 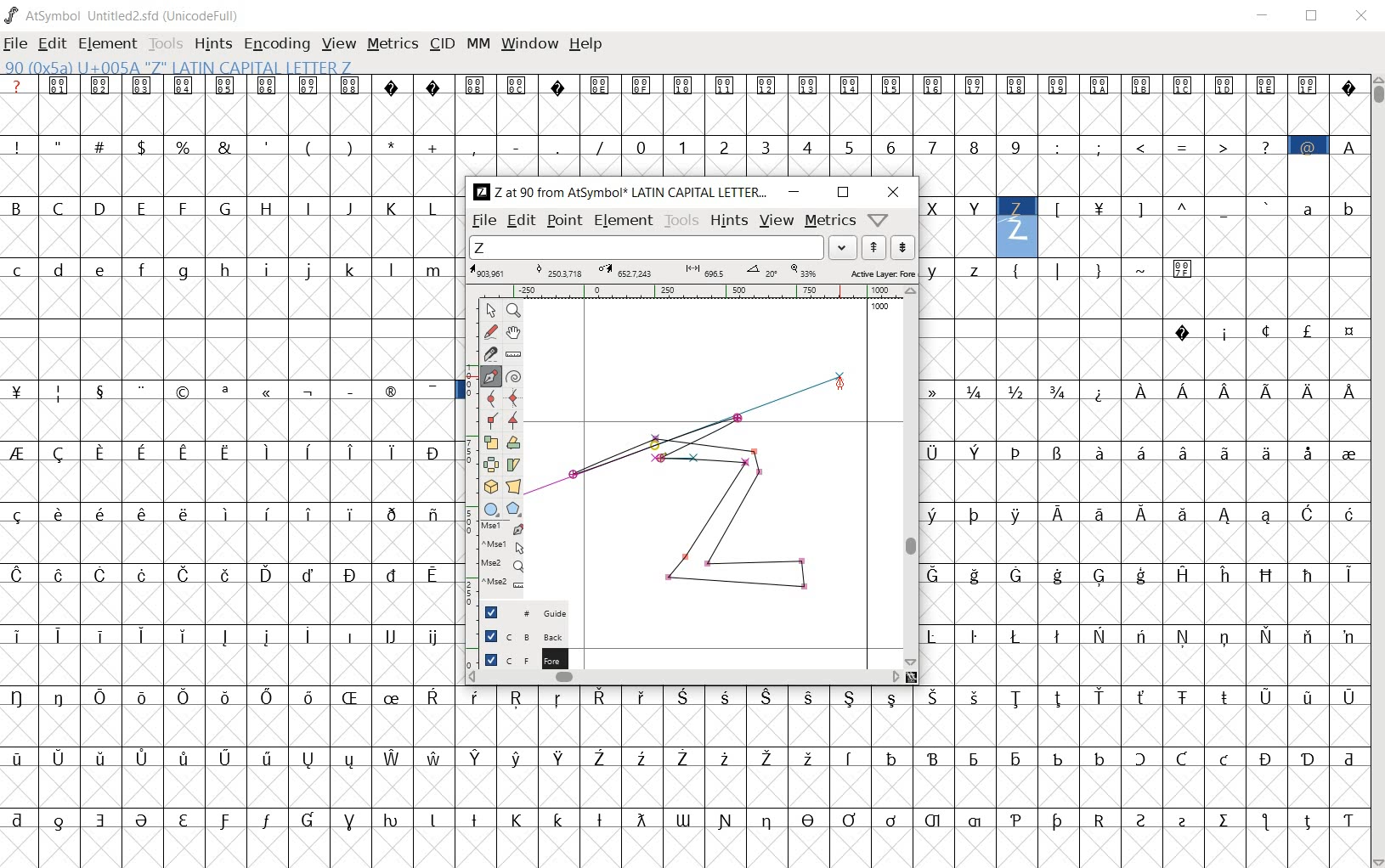 I want to click on view, so click(x=776, y=222).